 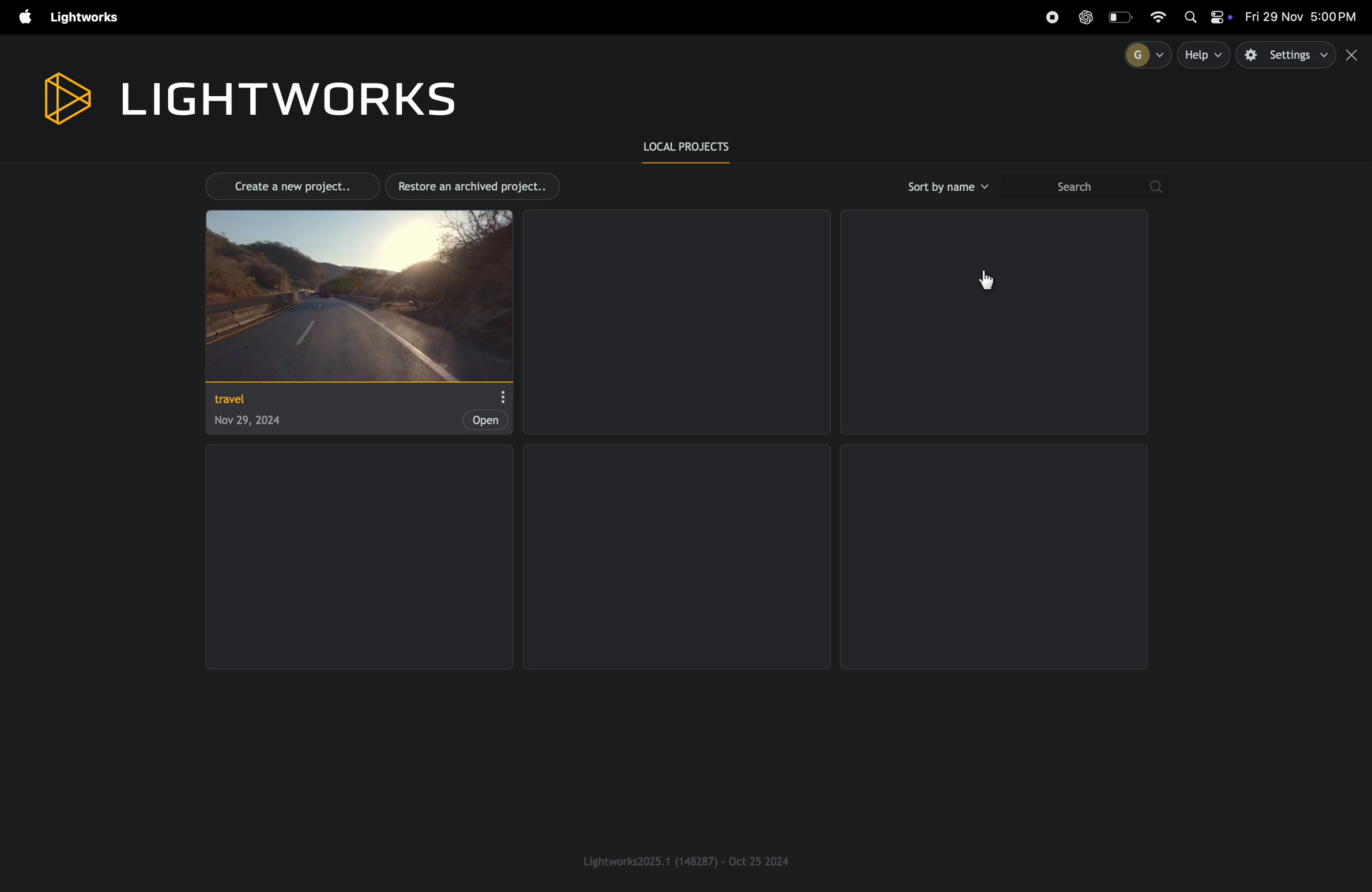 What do you see at coordinates (1303, 17) in the screenshot?
I see `date and time` at bounding box center [1303, 17].